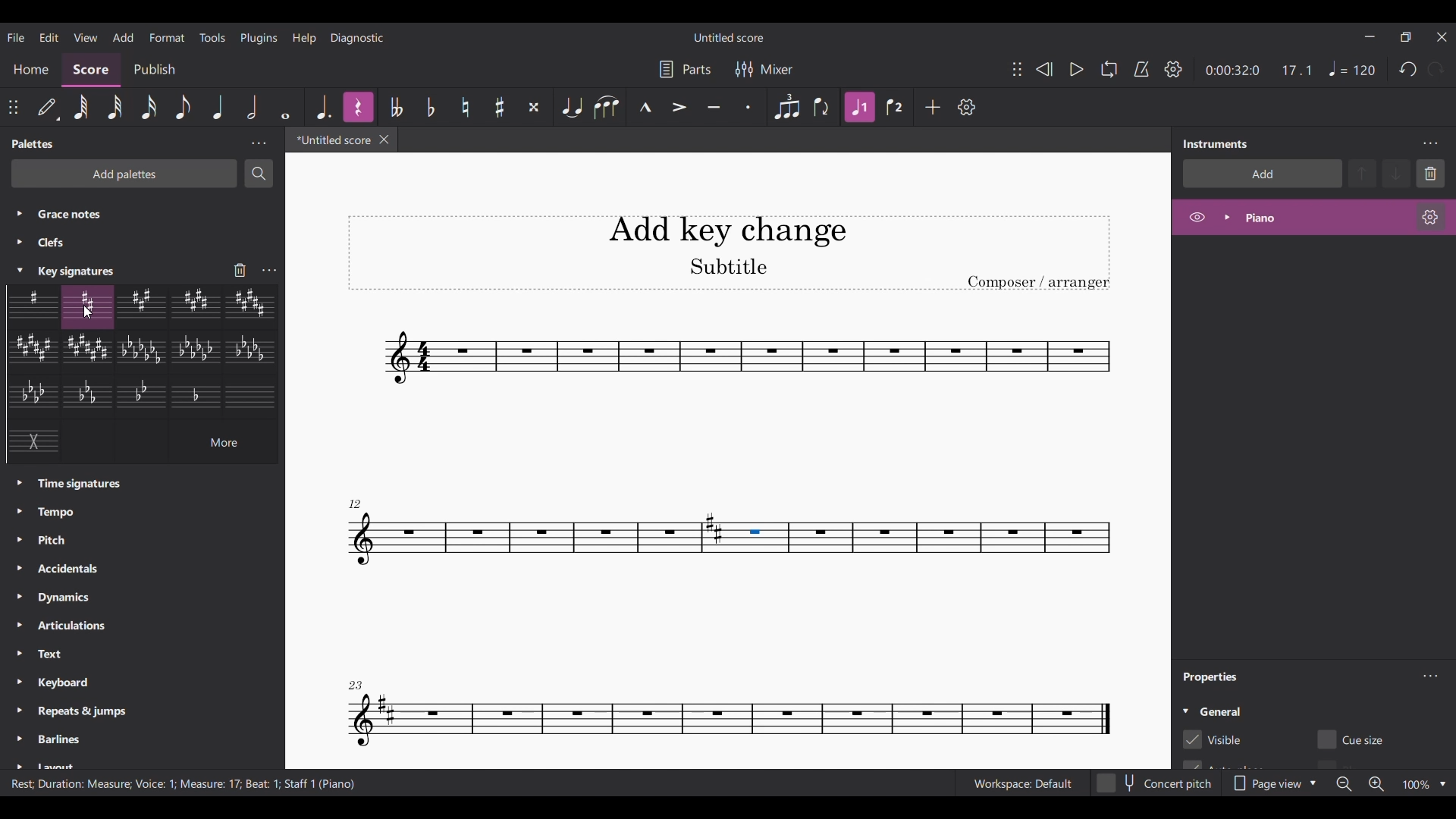 The image size is (1456, 819). Describe the element at coordinates (304, 37) in the screenshot. I see `Help menu` at that location.